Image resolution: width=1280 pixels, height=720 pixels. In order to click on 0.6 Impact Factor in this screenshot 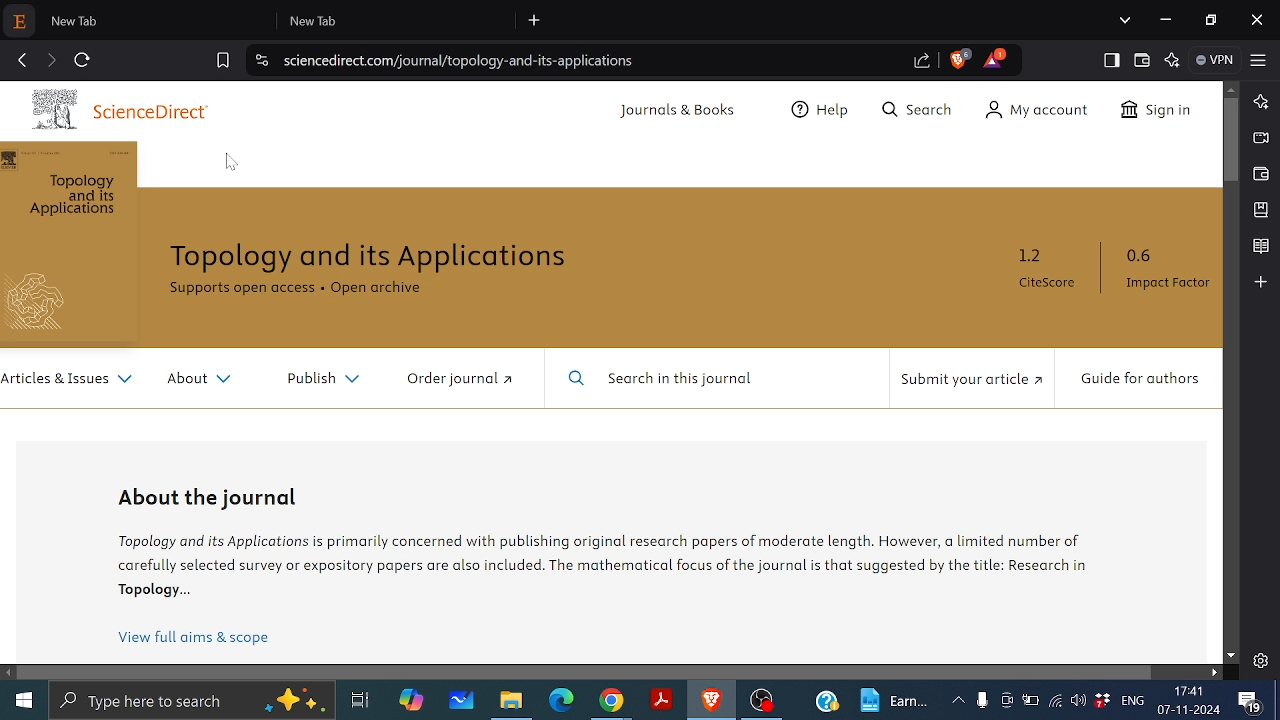, I will do `click(1162, 269)`.